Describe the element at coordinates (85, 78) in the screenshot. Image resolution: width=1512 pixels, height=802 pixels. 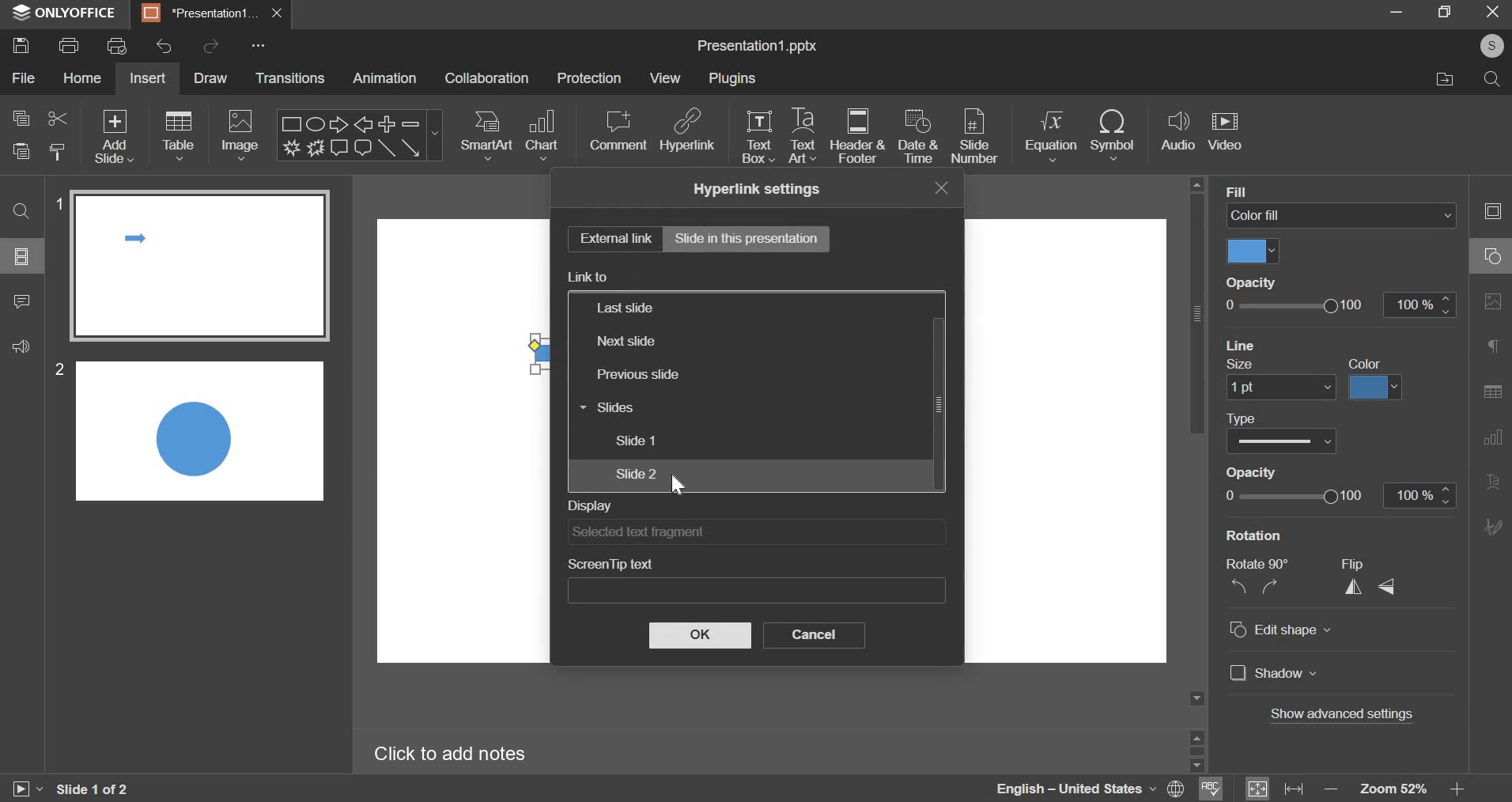
I see `home` at that location.